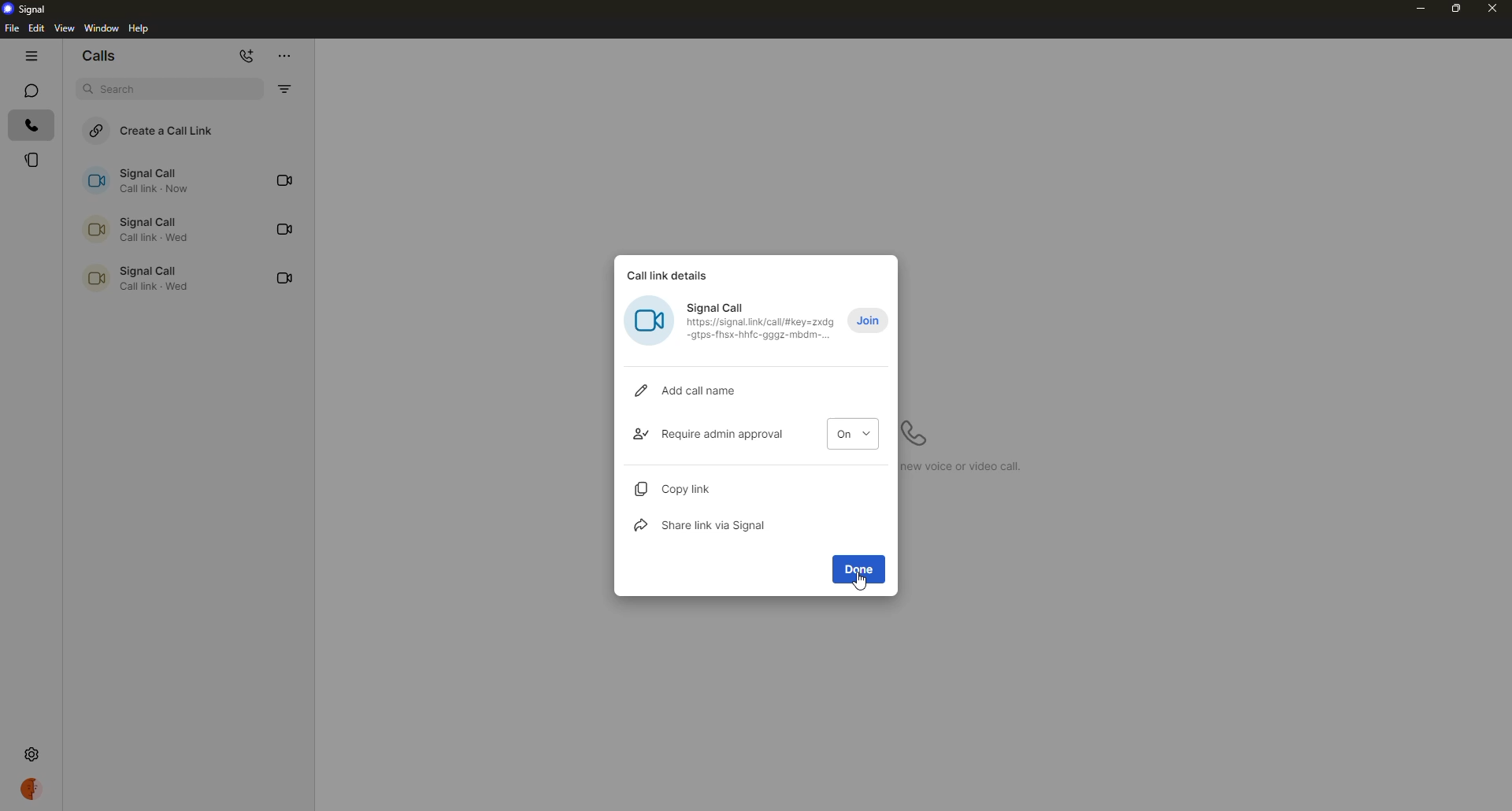 Image resolution: width=1512 pixels, height=811 pixels. What do you see at coordinates (854, 433) in the screenshot?
I see `on` at bounding box center [854, 433].